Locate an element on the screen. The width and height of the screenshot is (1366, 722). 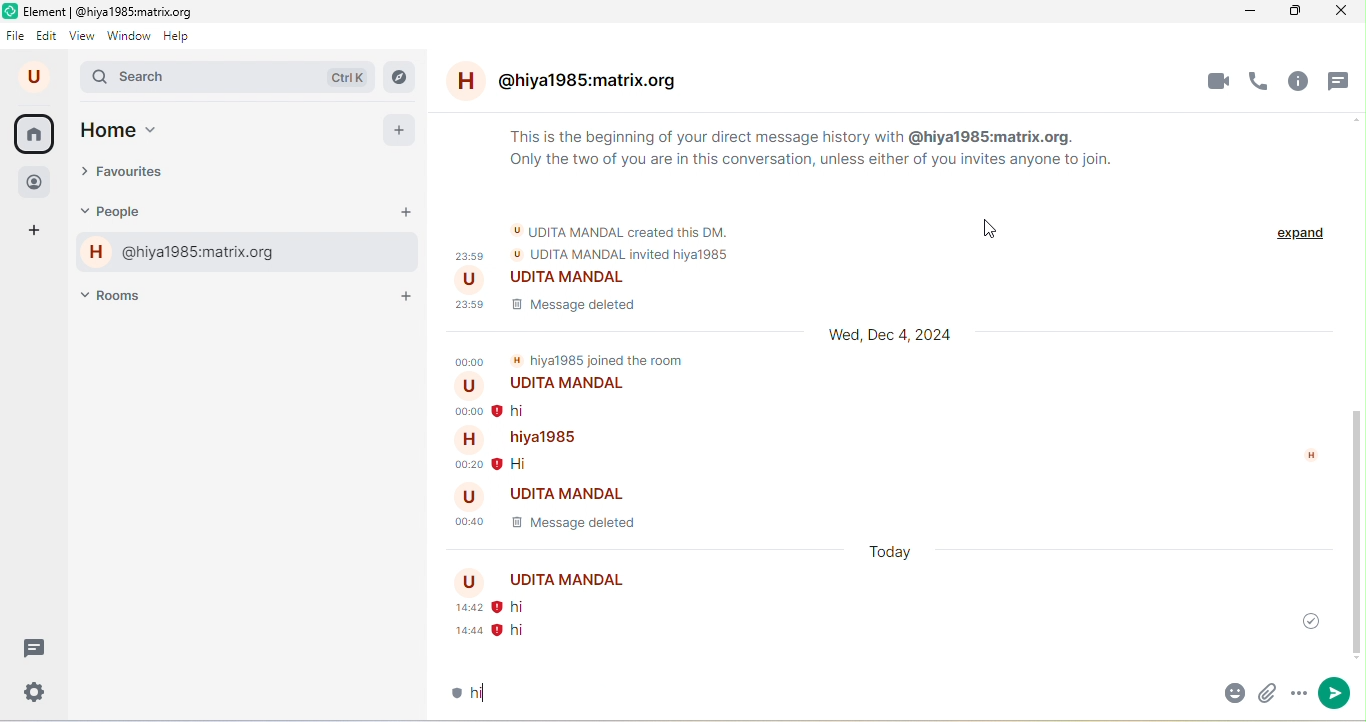
@hiya1985:matrix.org is located at coordinates (181, 254).